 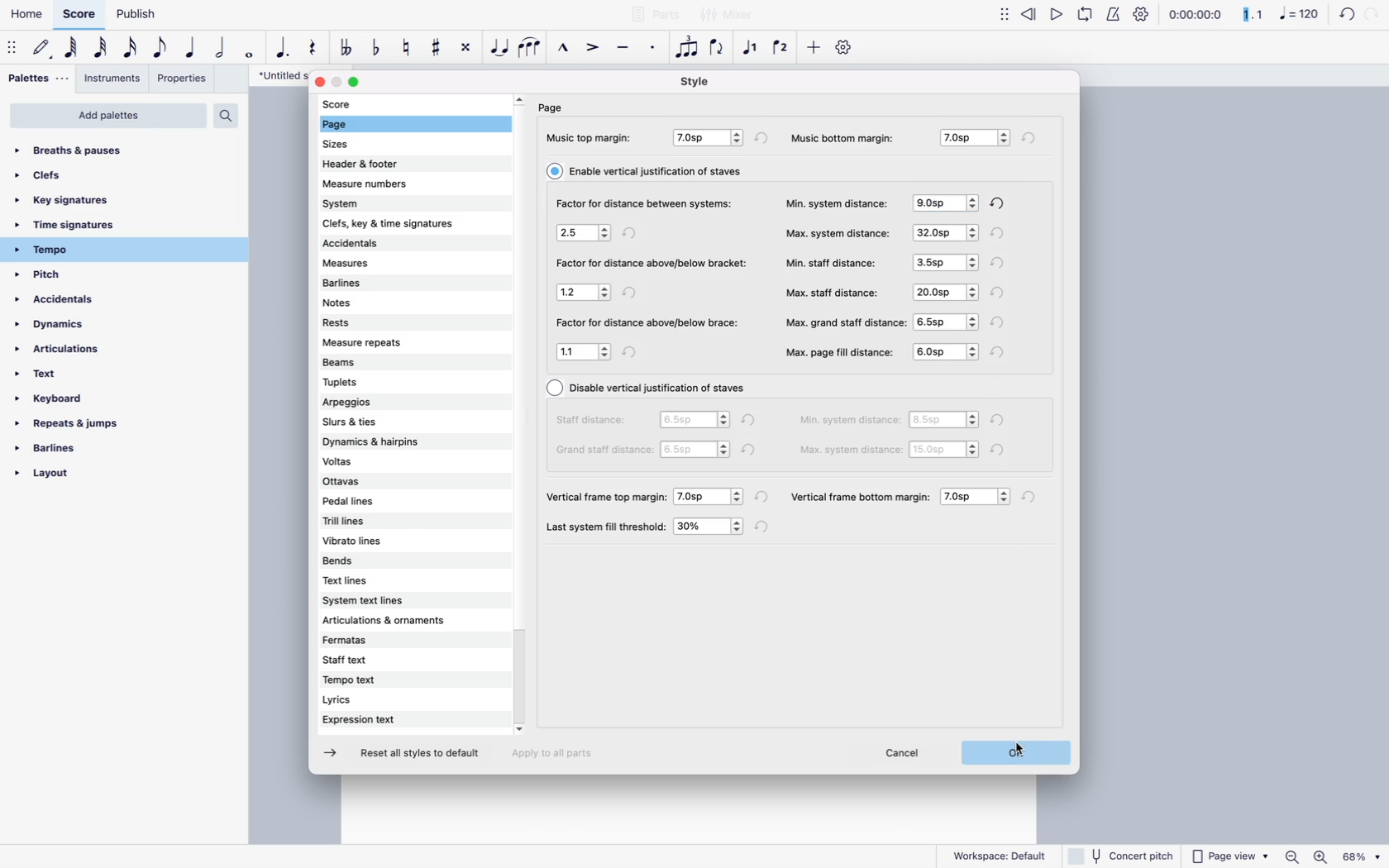 What do you see at coordinates (383, 265) in the screenshot?
I see `measures` at bounding box center [383, 265].